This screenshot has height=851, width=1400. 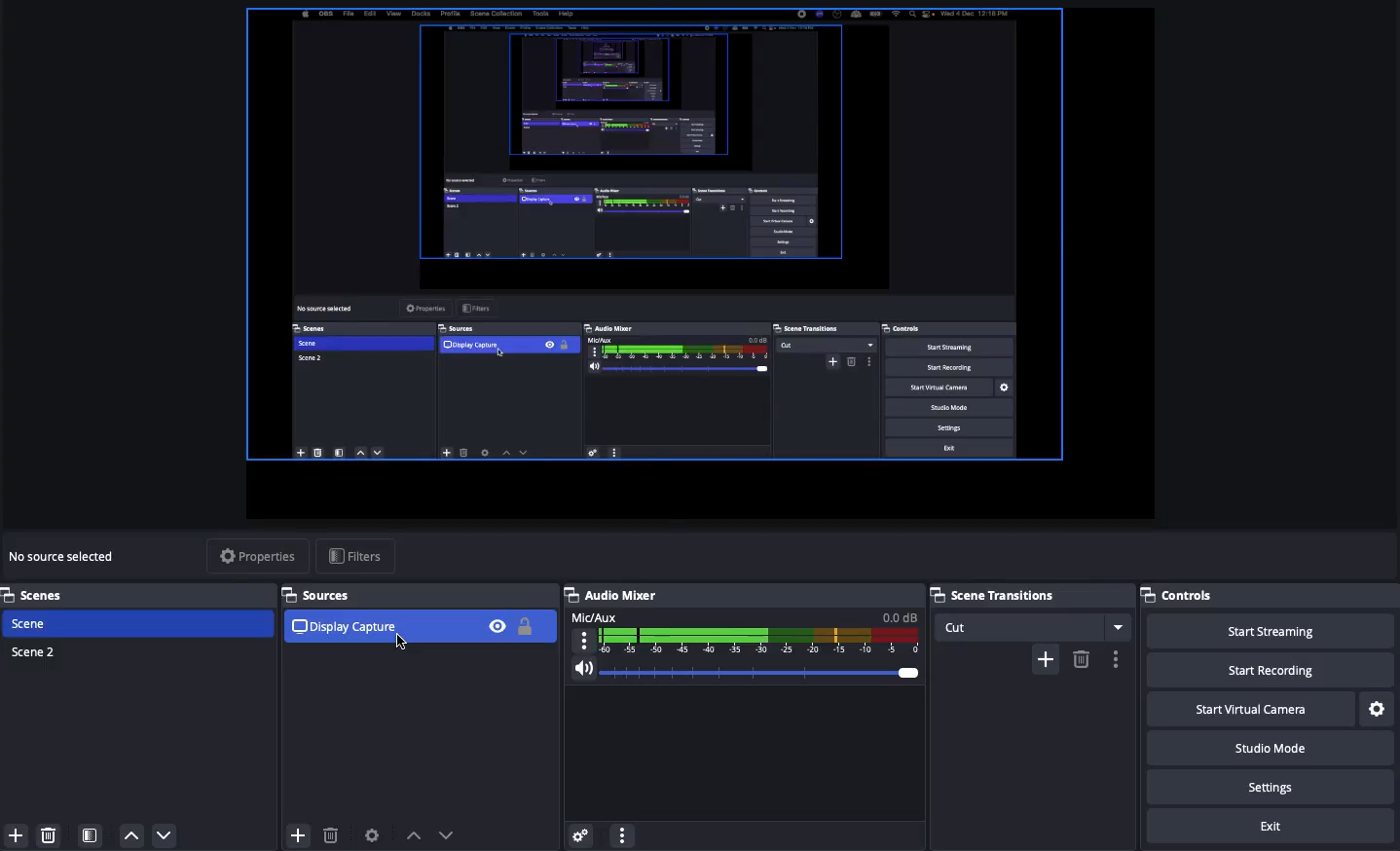 What do you see at coordinates (69, 558) in the screenshot?
I see `No sources selected ` at bounding box center [69, 558].